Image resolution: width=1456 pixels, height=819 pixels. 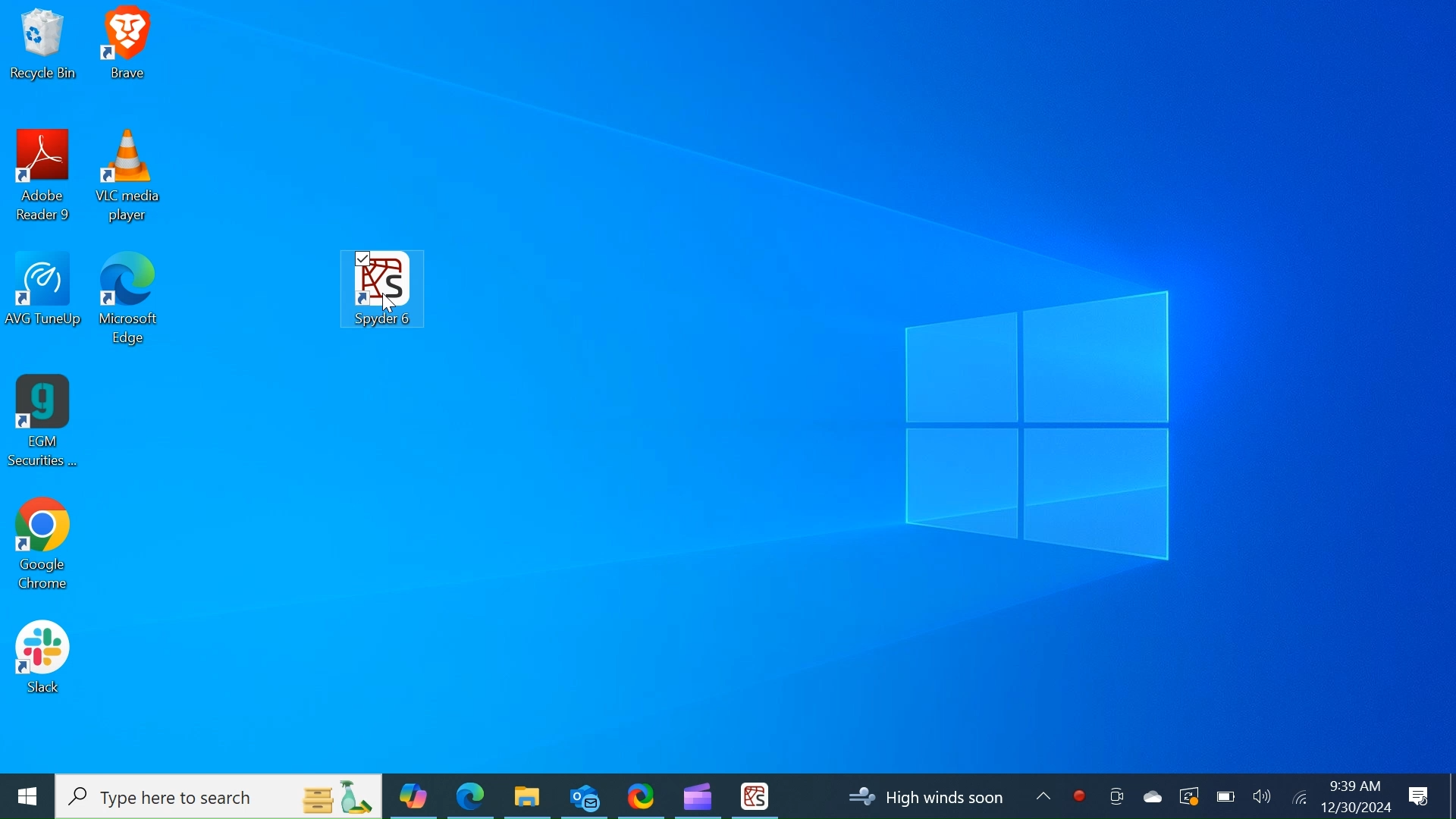 What do you see at coordinates (45, 179) in the screenshot?
I see `Adobe Reader Desktop Icon` at bounding box center [45, 179].